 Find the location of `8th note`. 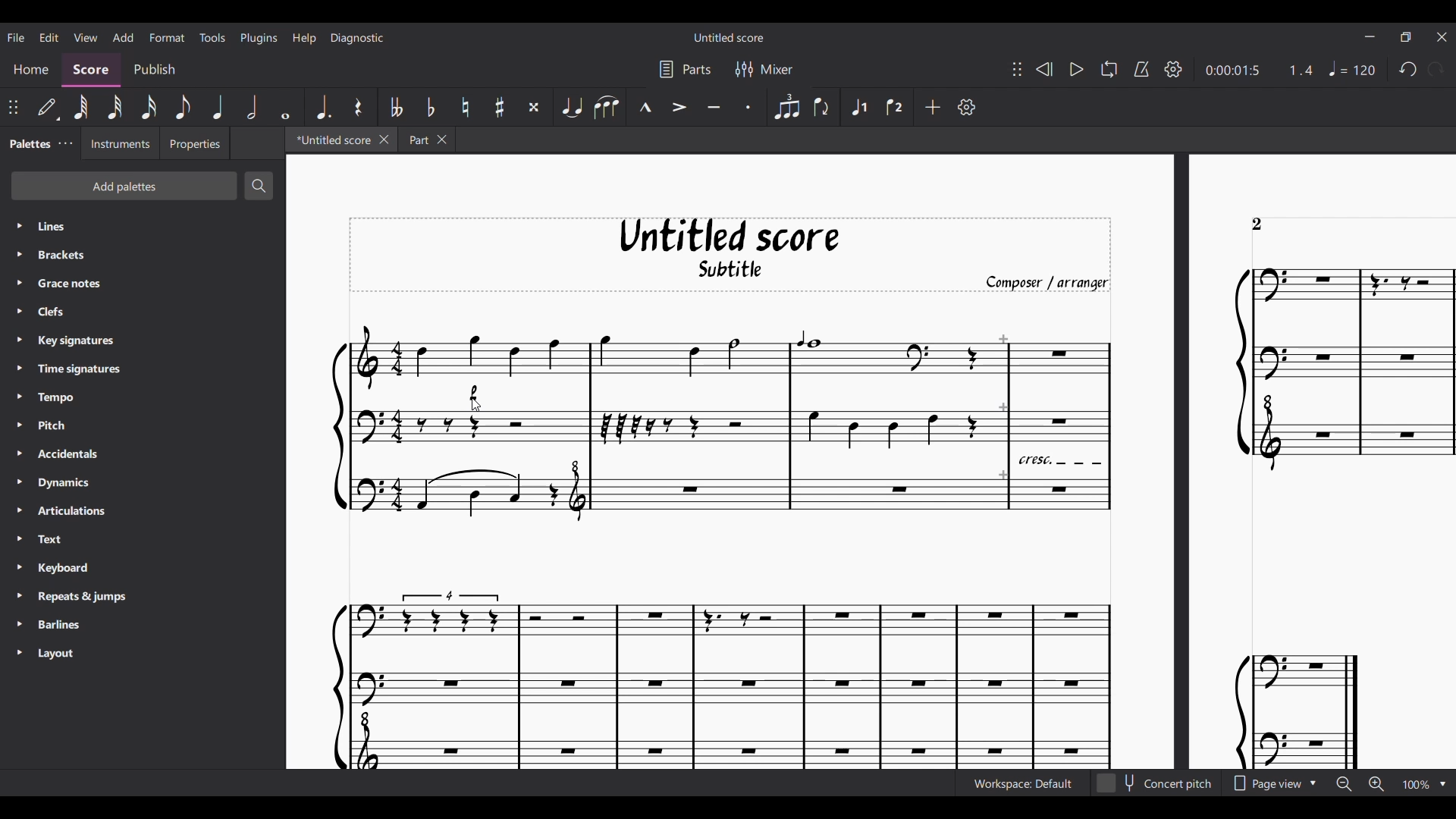

8th note is located at coordinates (182, 107).